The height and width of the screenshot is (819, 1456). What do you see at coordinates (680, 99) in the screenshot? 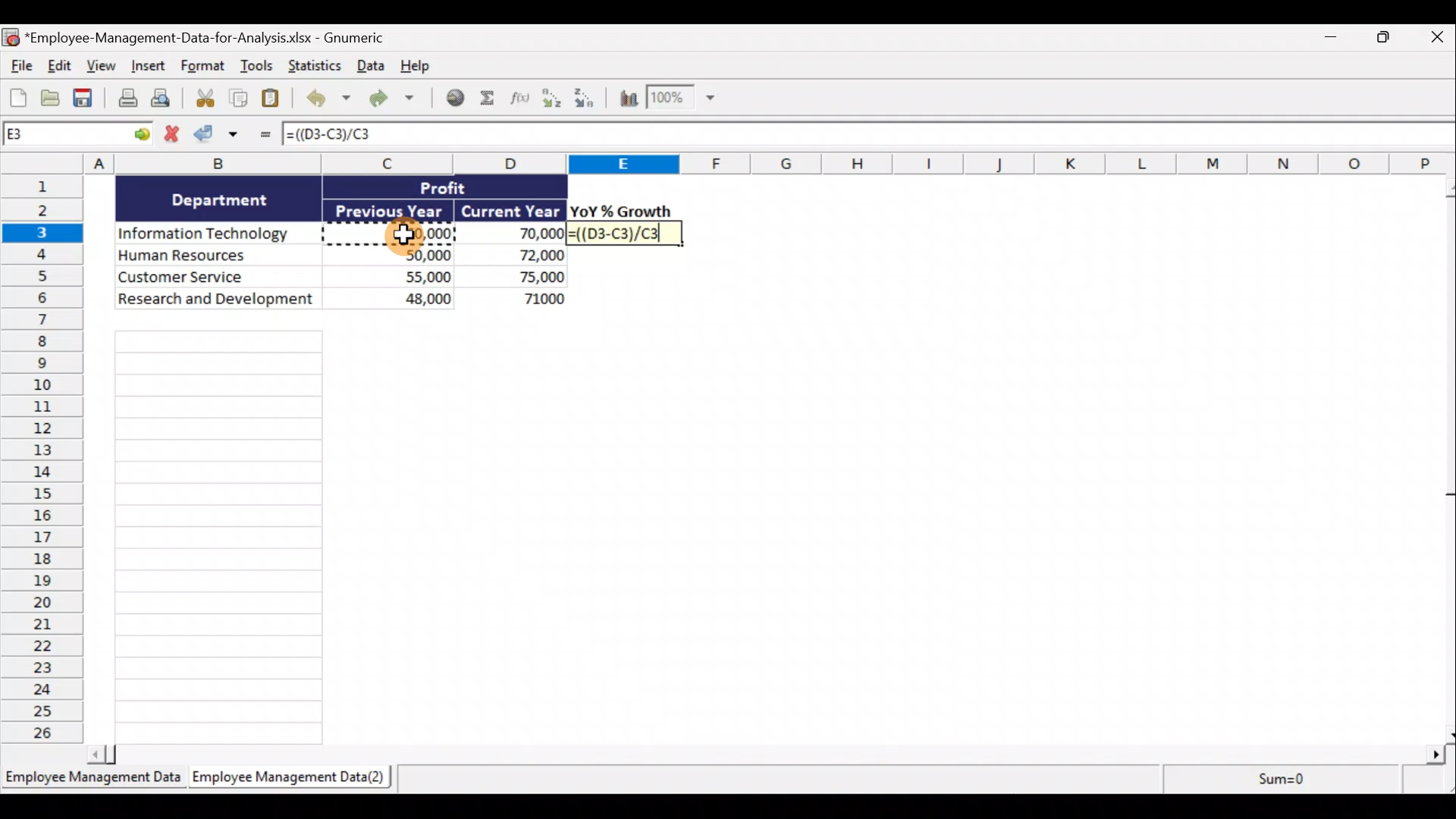
I see `Zoom` at bounding box center [680, 99].